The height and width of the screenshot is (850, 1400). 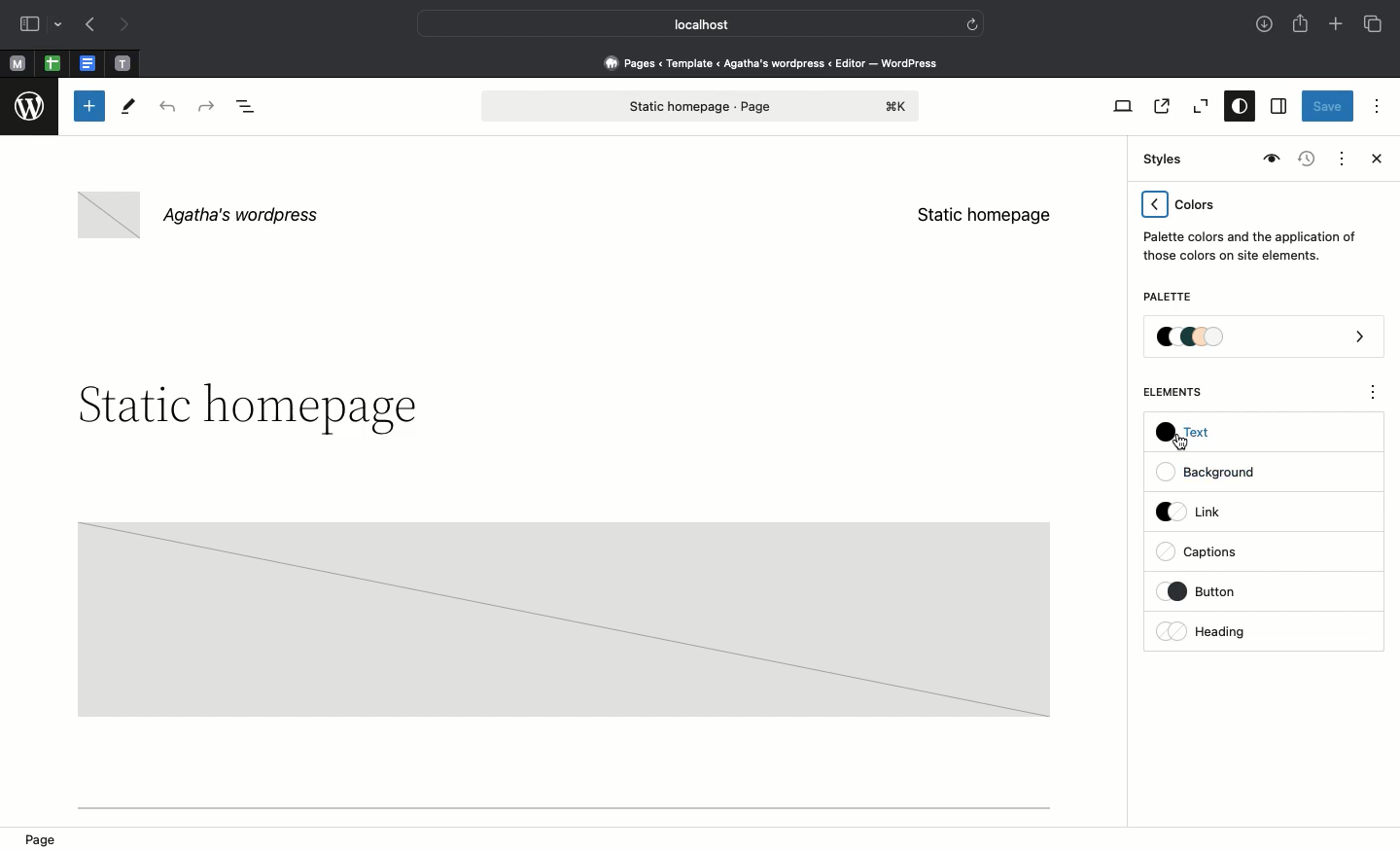 I want to click on View page, so click(x=1160, y=106).